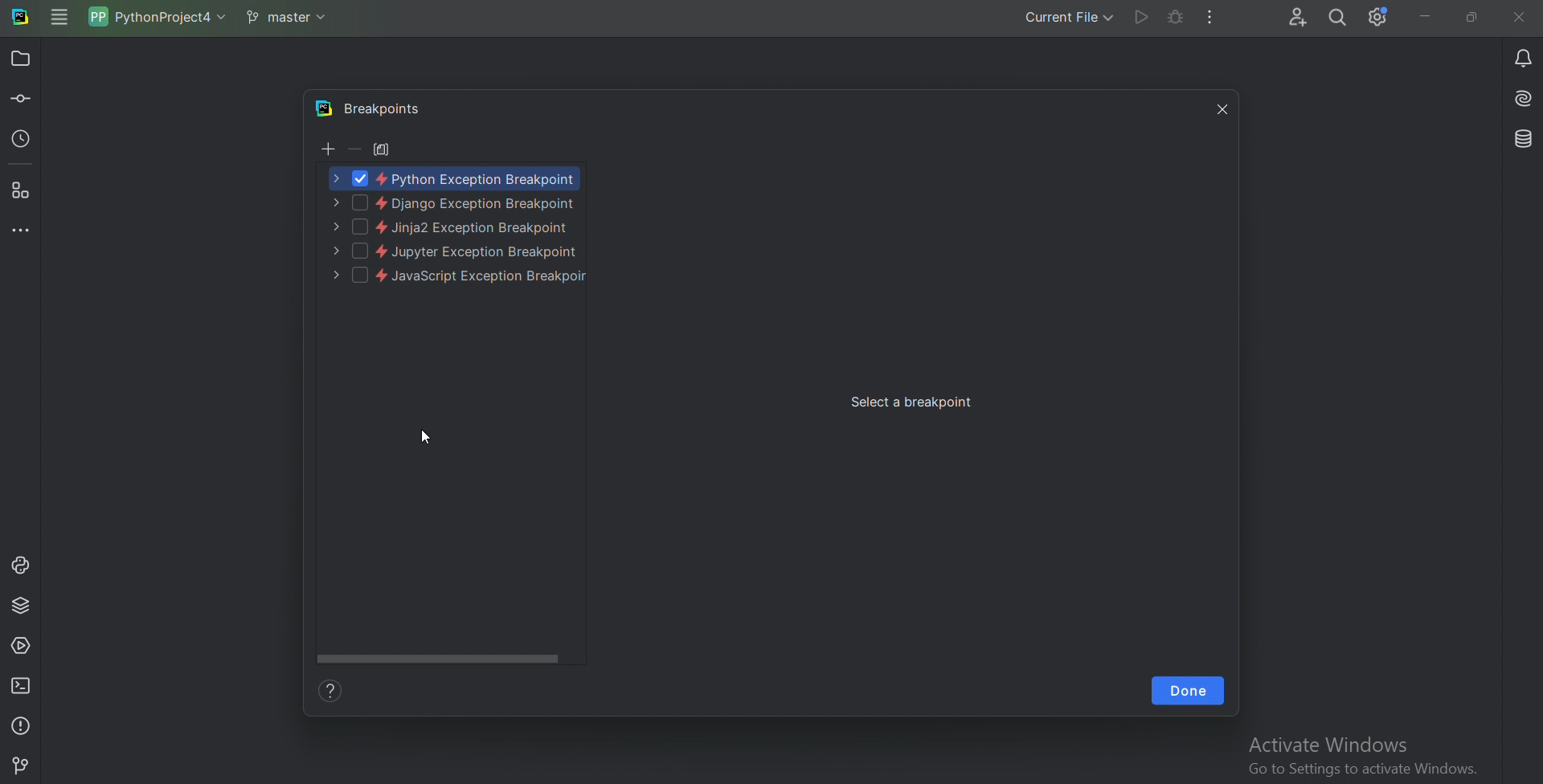  I want to click on Jinja2 Exception Breakpoint, so click(451, 228).